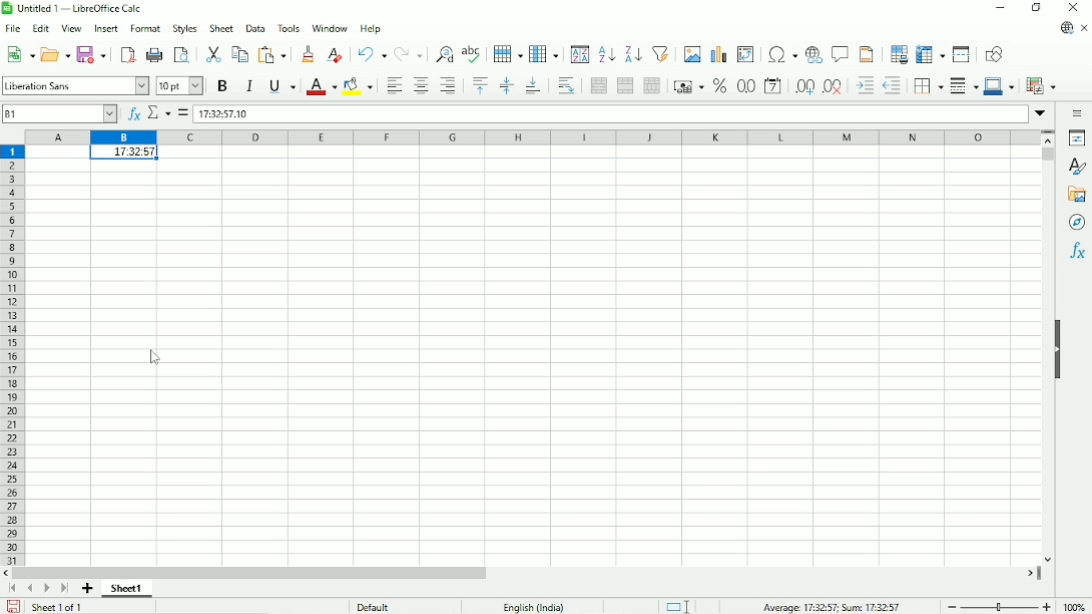  I want to click on Split window, so click(962, 54).